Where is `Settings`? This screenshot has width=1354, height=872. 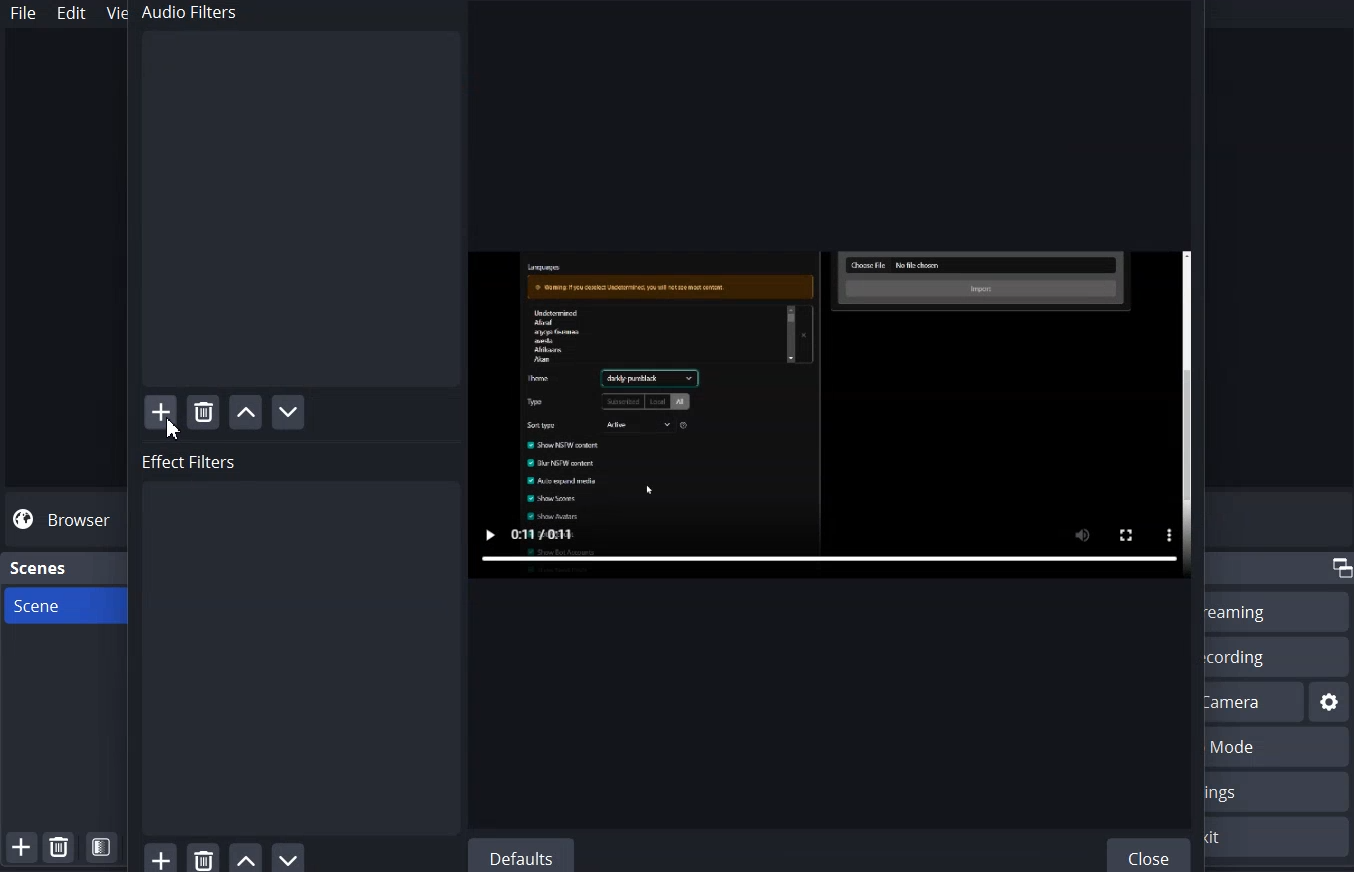 Settings is located at coordinates (1330, 702).